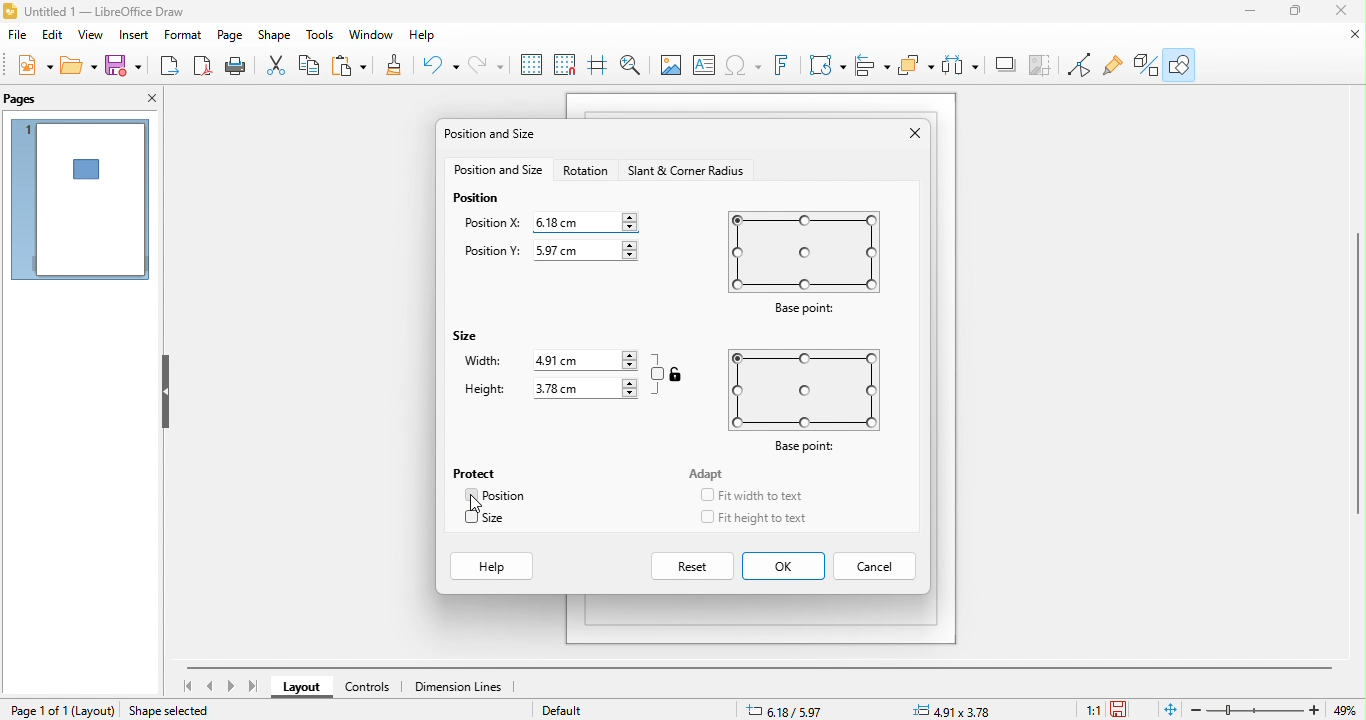  Describe the element at coordinates (762, 496) in the screenshot. I see `fit width to text` at that location.